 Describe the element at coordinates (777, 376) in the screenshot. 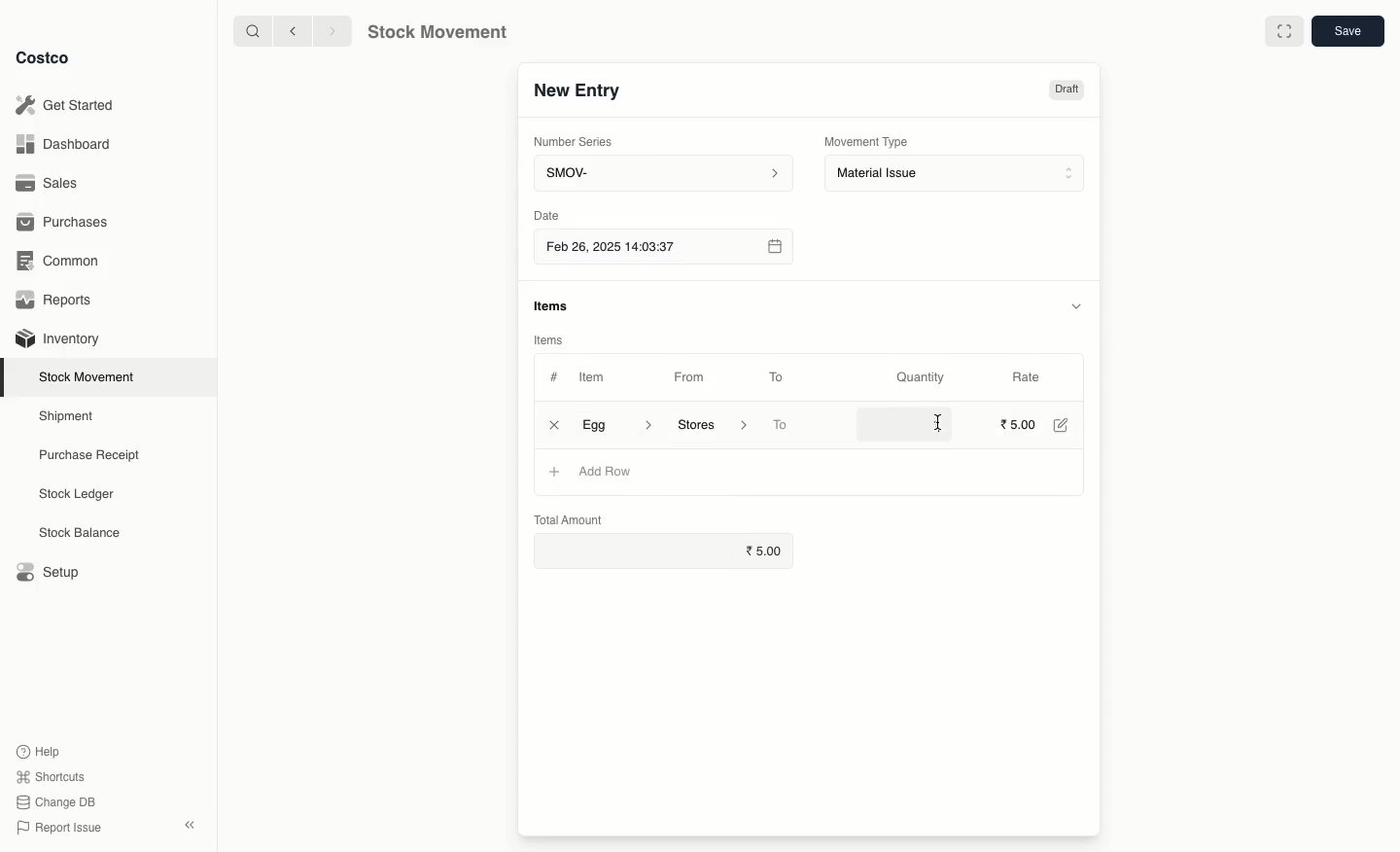

I see `To` at that location.